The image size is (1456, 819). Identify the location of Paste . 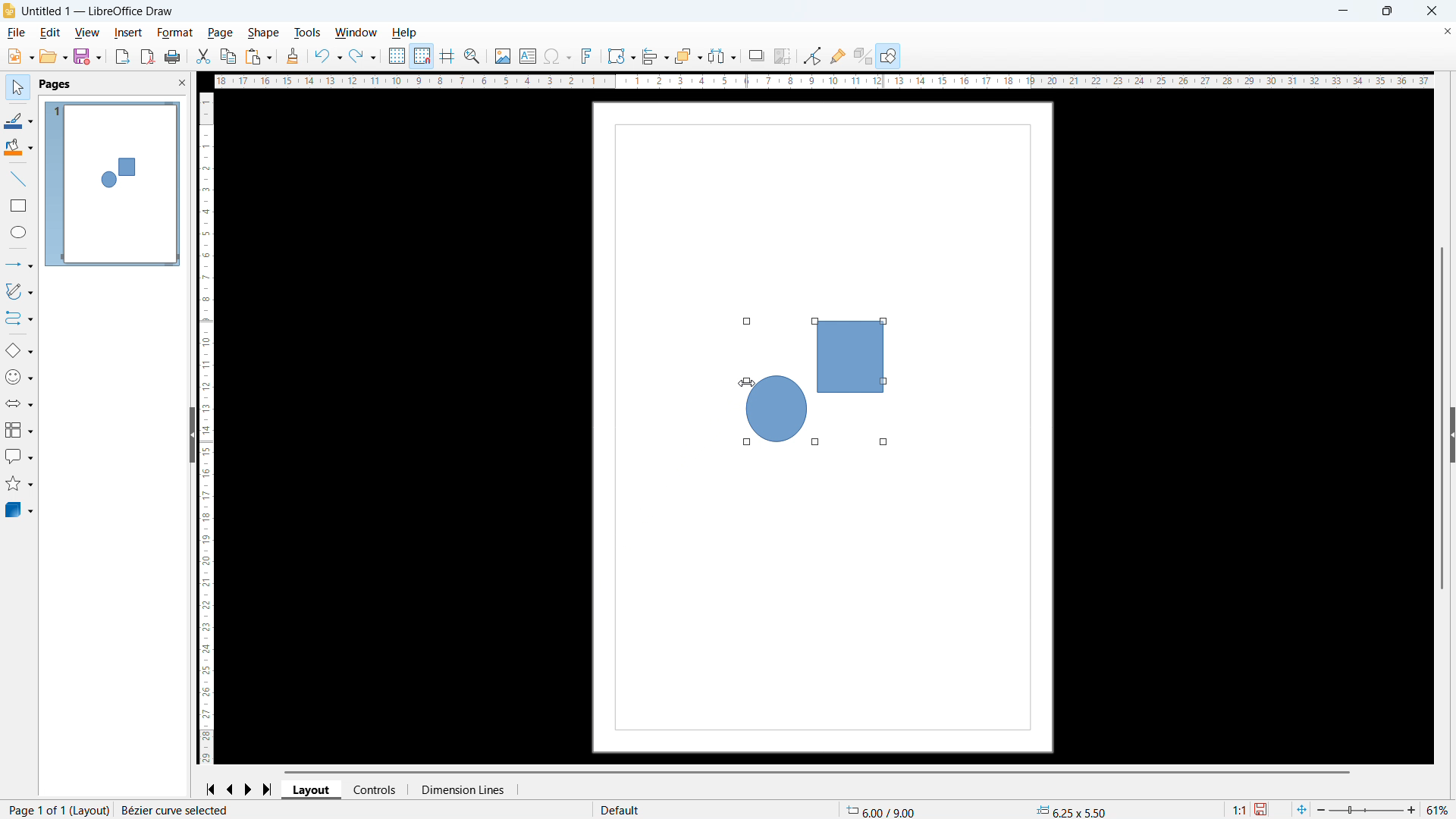
(259, 56).